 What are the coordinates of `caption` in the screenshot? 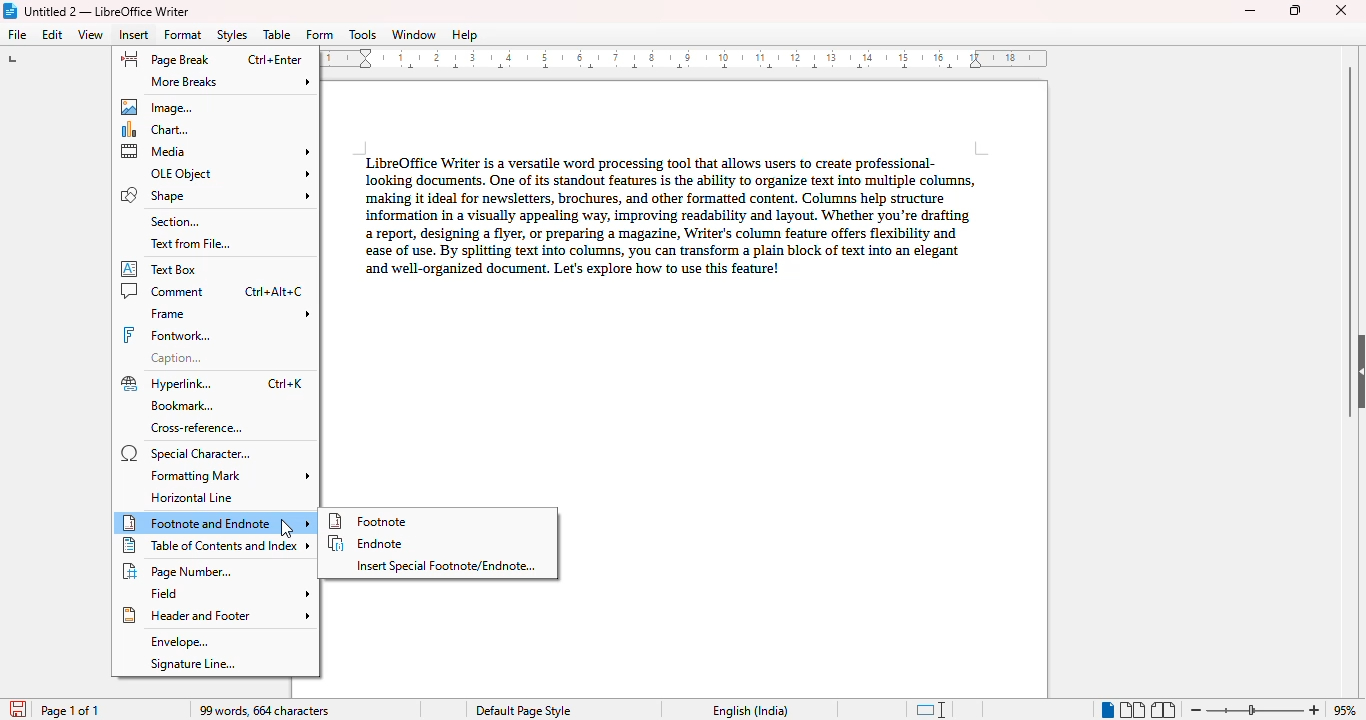 It's located at (177, 358).